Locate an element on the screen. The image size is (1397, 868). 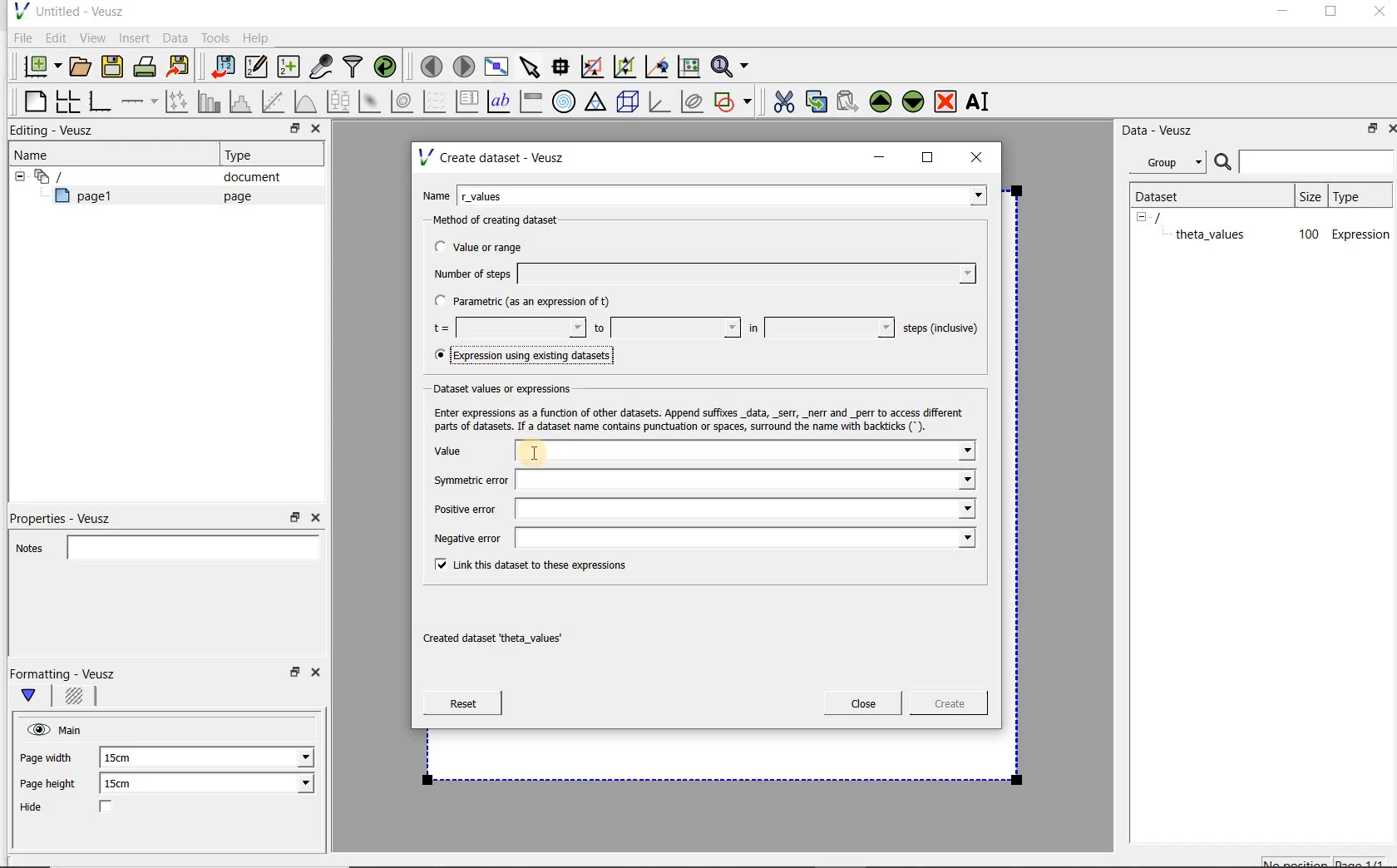
r_values is located at coordinates (723, 194).